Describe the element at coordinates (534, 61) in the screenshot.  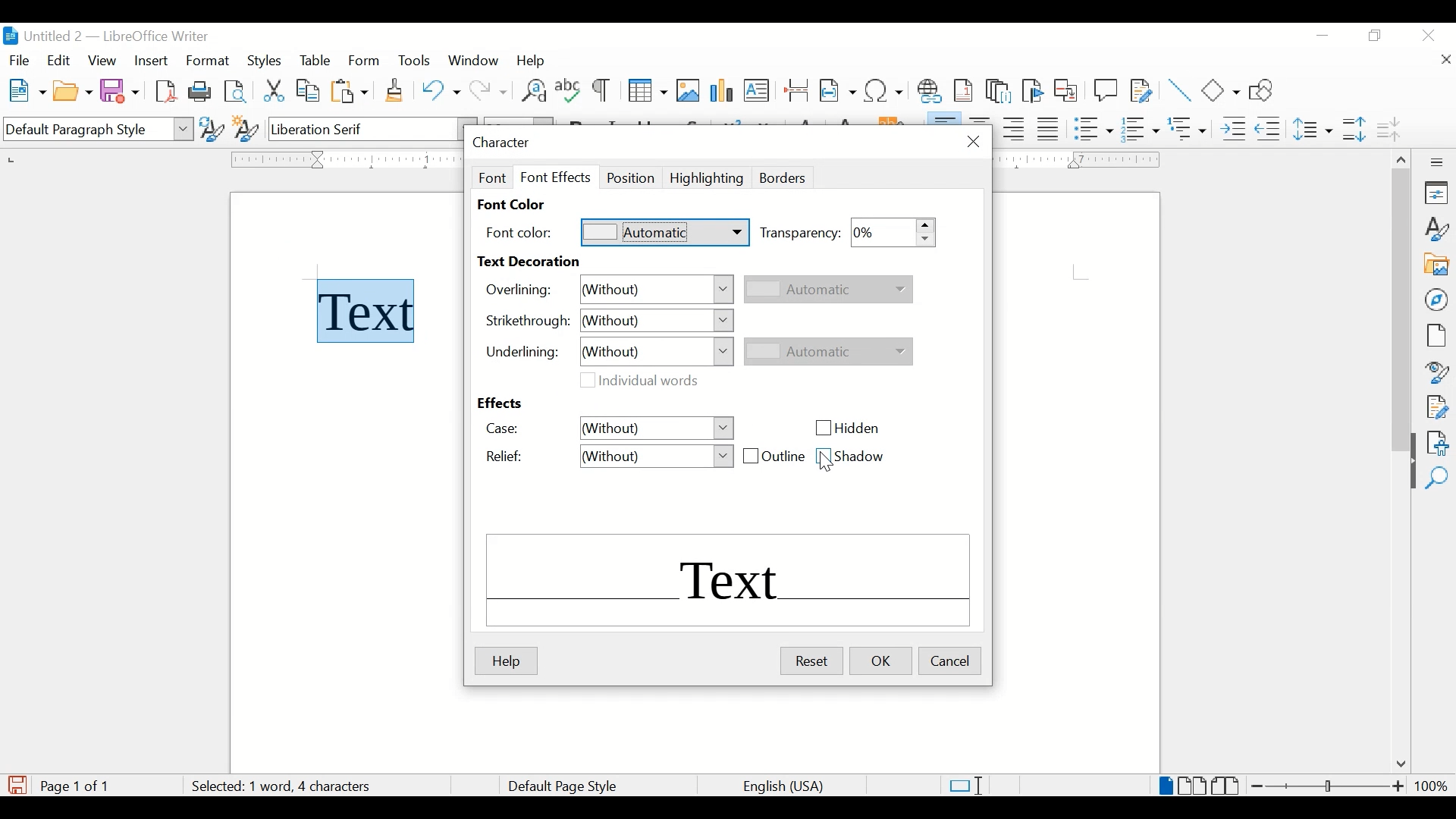
I see `help` at that location.